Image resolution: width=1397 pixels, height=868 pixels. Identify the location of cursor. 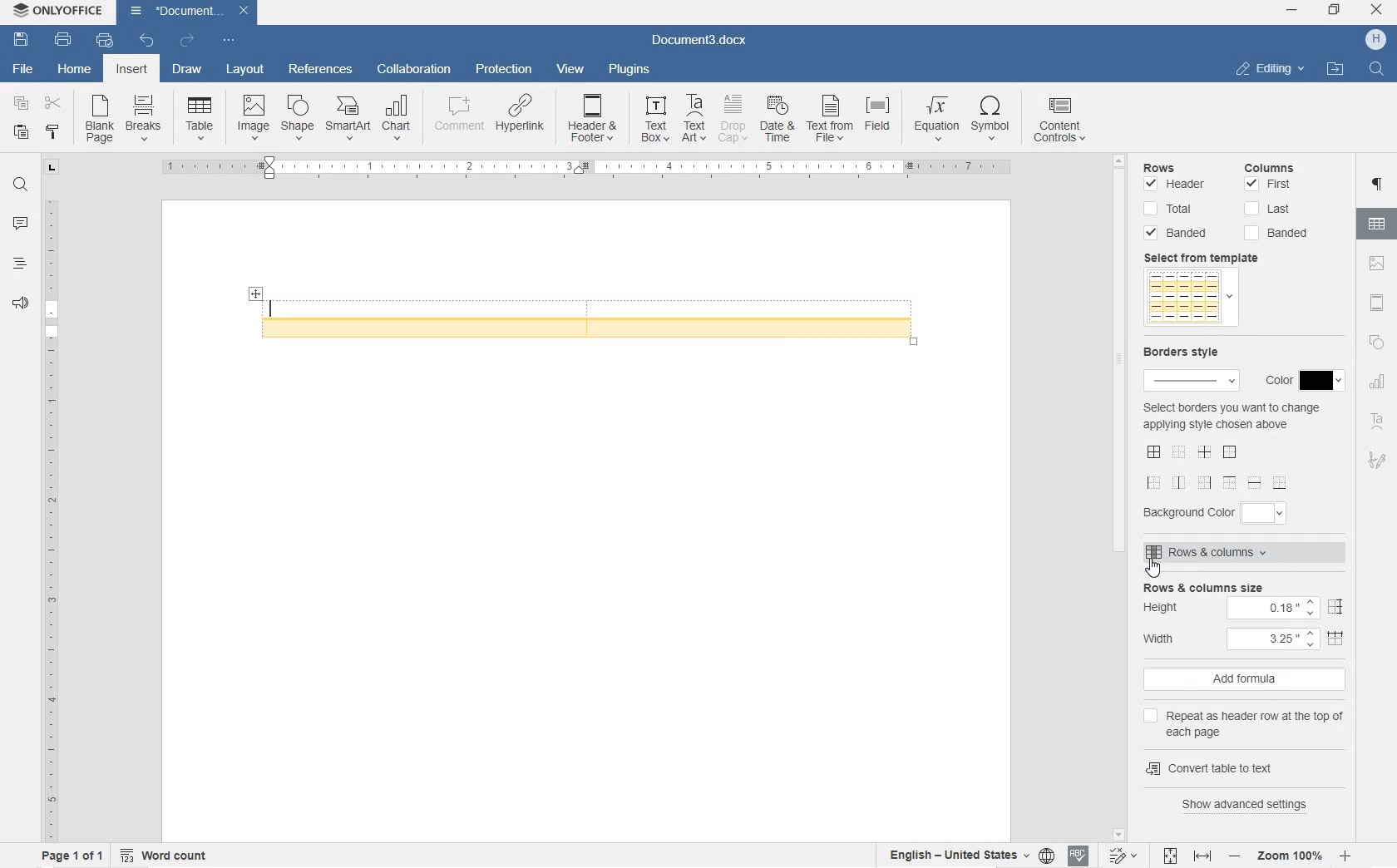
(1154, 570).